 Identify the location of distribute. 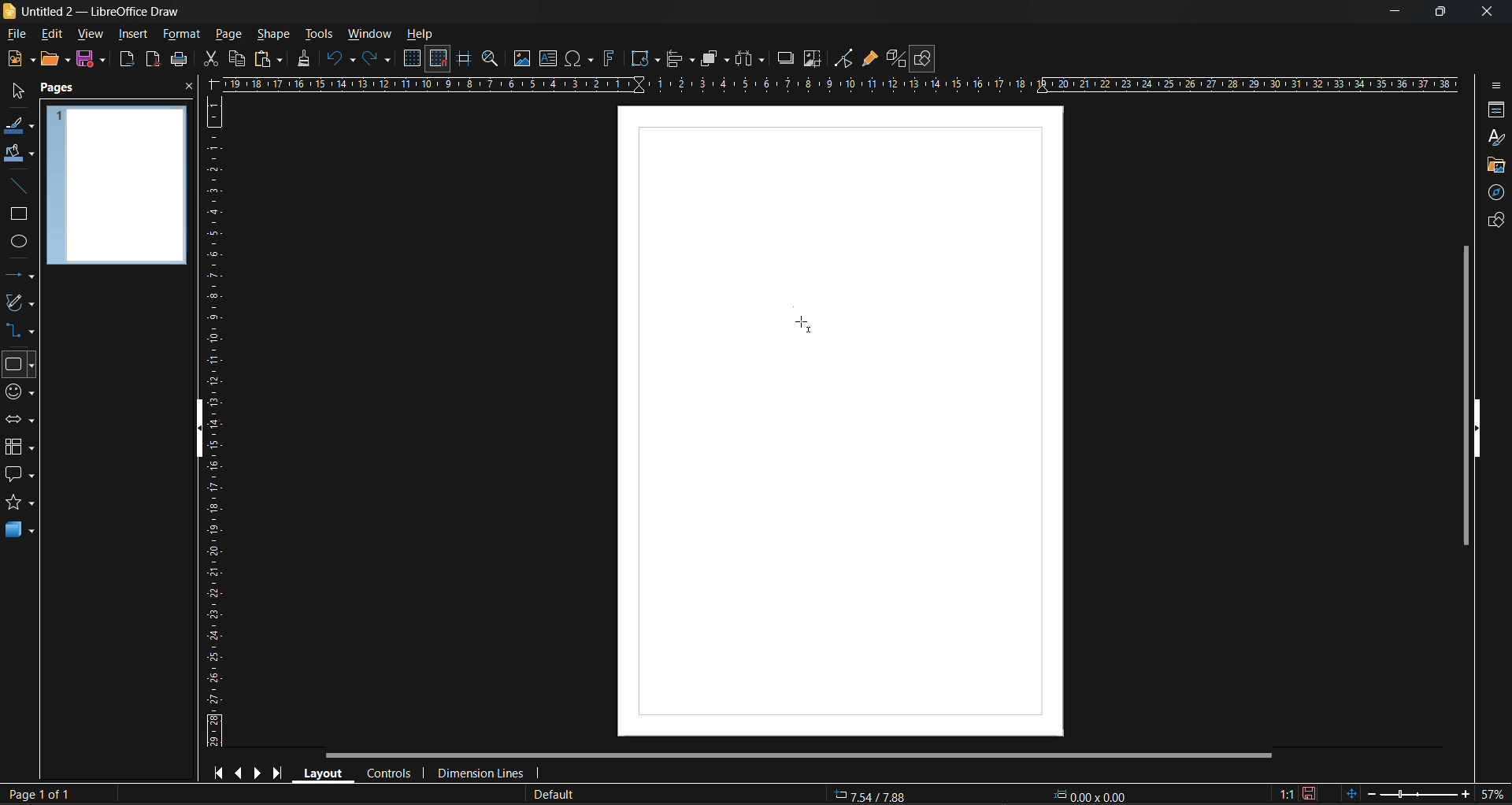
(752, 59).